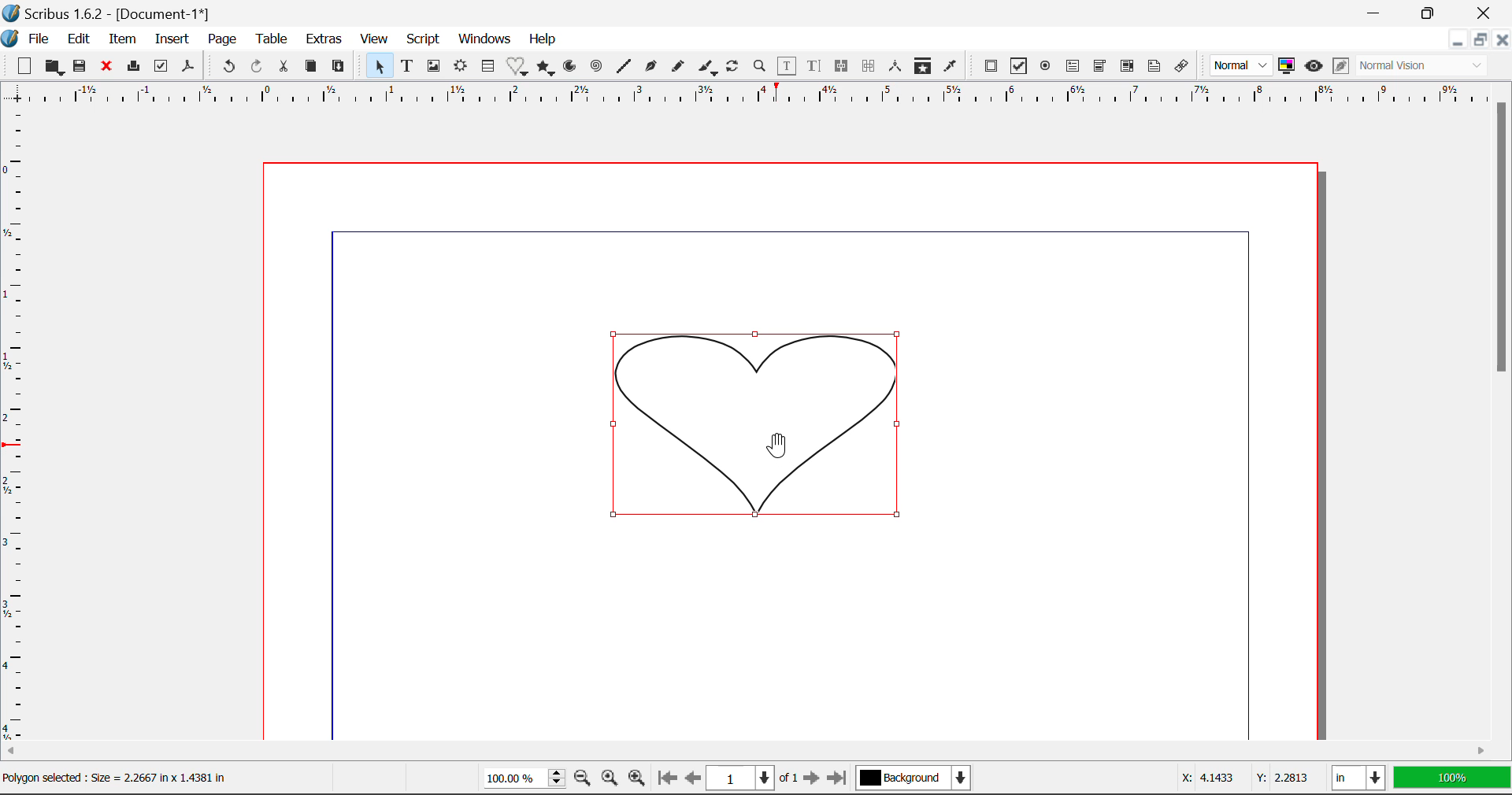 The image size is (1512, 795). What do you see at coordinates (1021, 68) in the screenshot?
I see `Pdf Checkbox` at bounding box center [1021, 68].